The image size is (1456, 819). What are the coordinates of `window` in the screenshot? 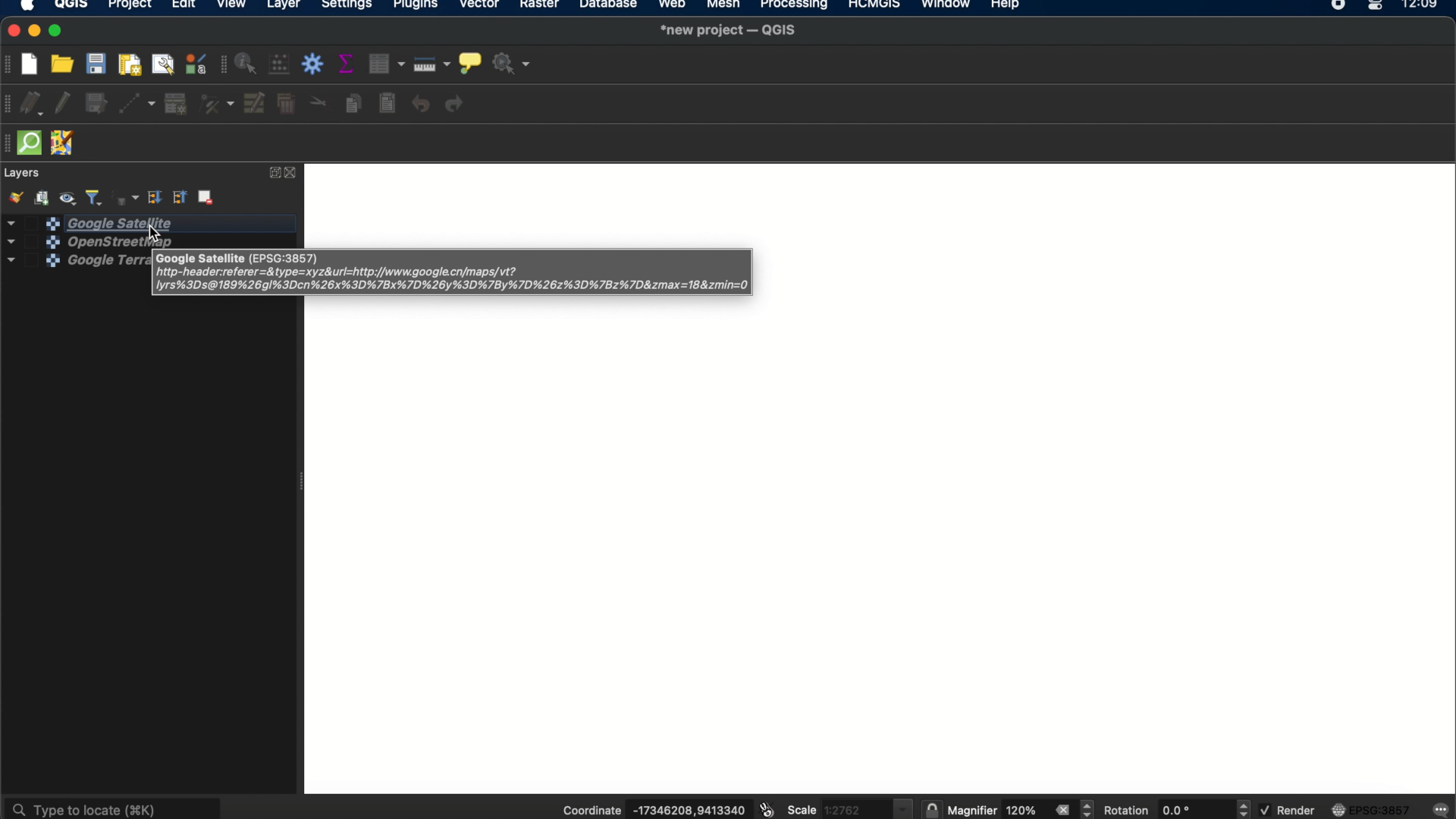 It's located at (945, 6).